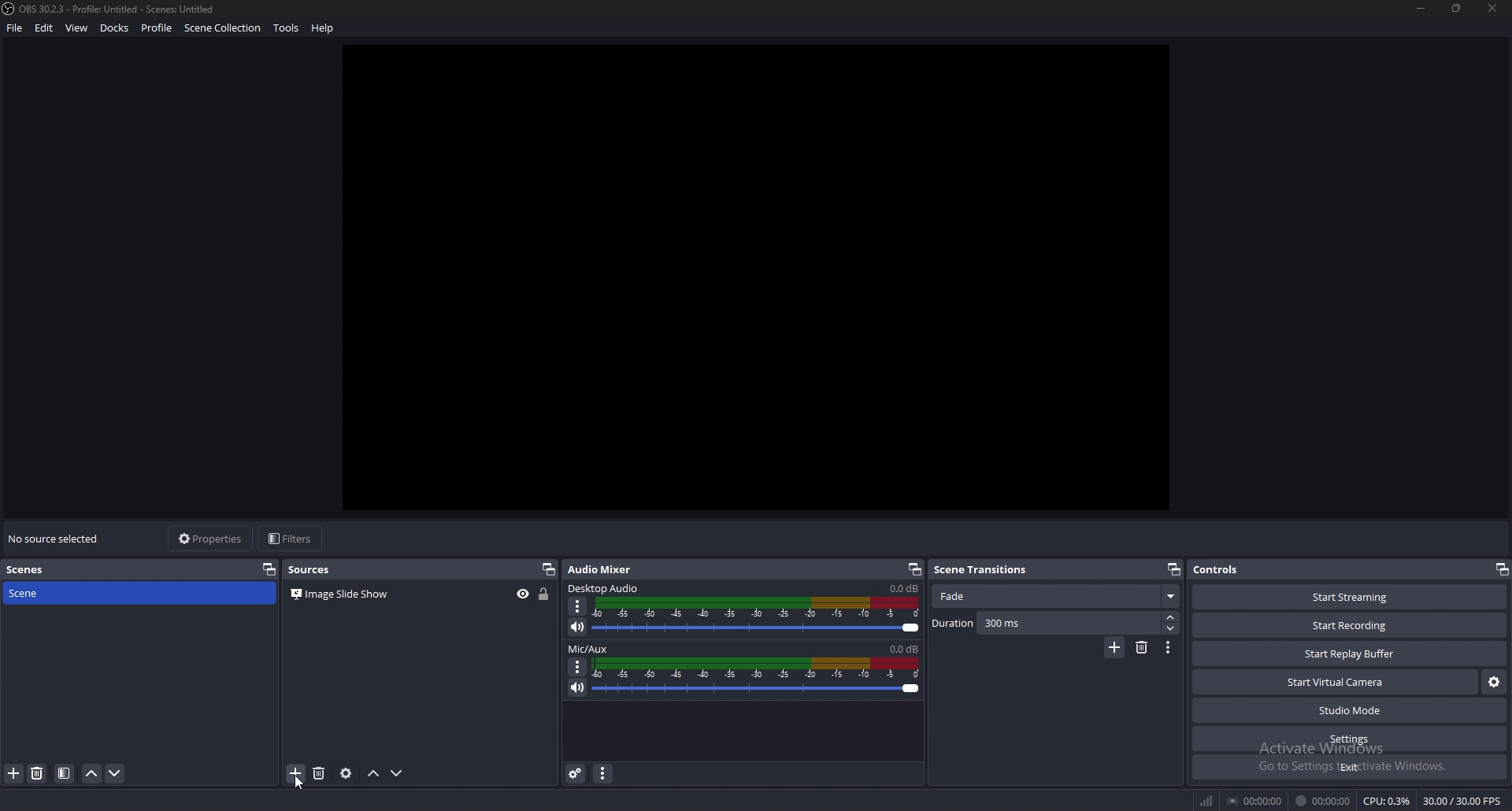  What do you see at coordinates (268, 570) in the screenshot?
I see `pop out` at bounding box center [268, 570].